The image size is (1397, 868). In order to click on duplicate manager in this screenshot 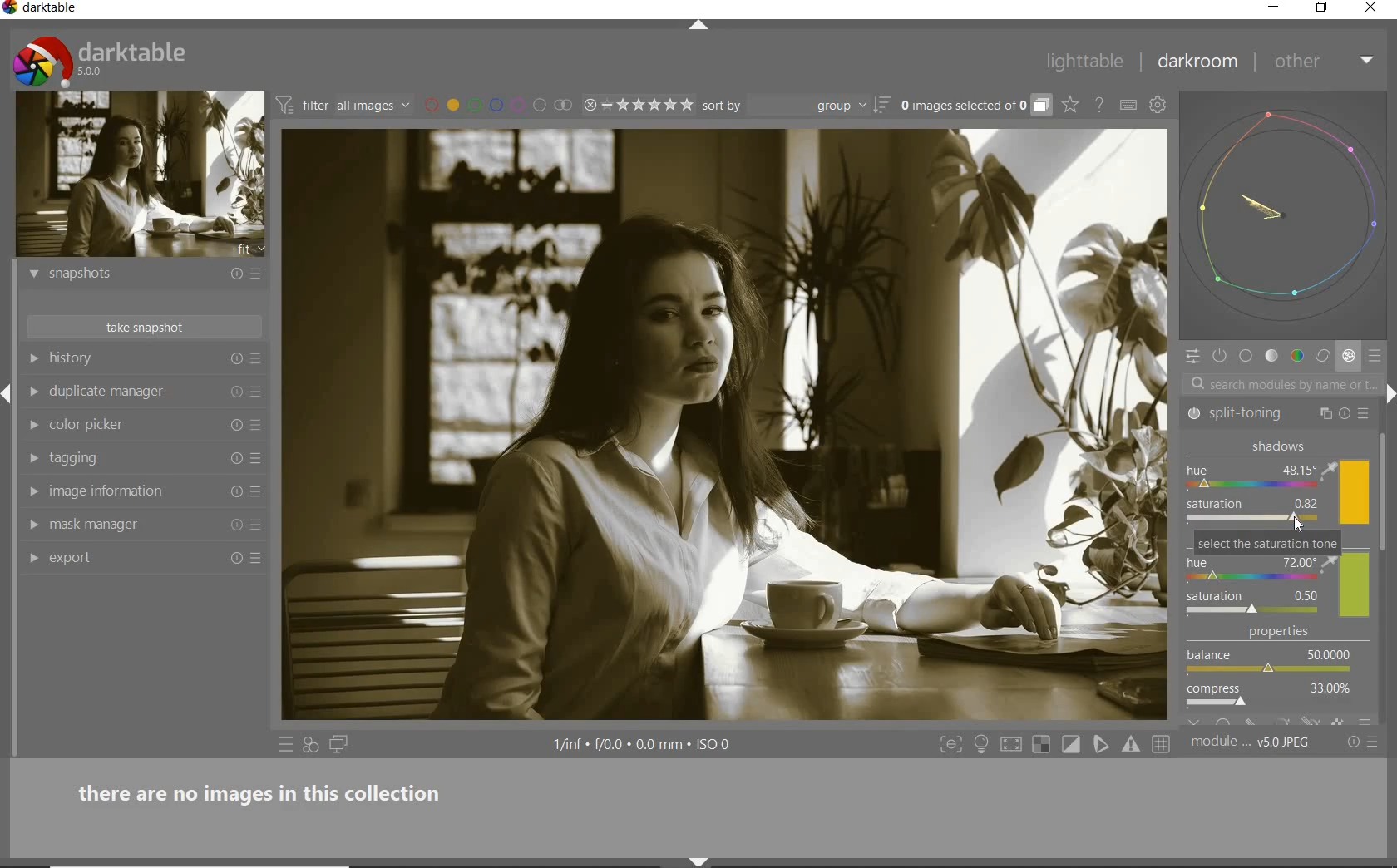, I will do `click(133, 392)`.